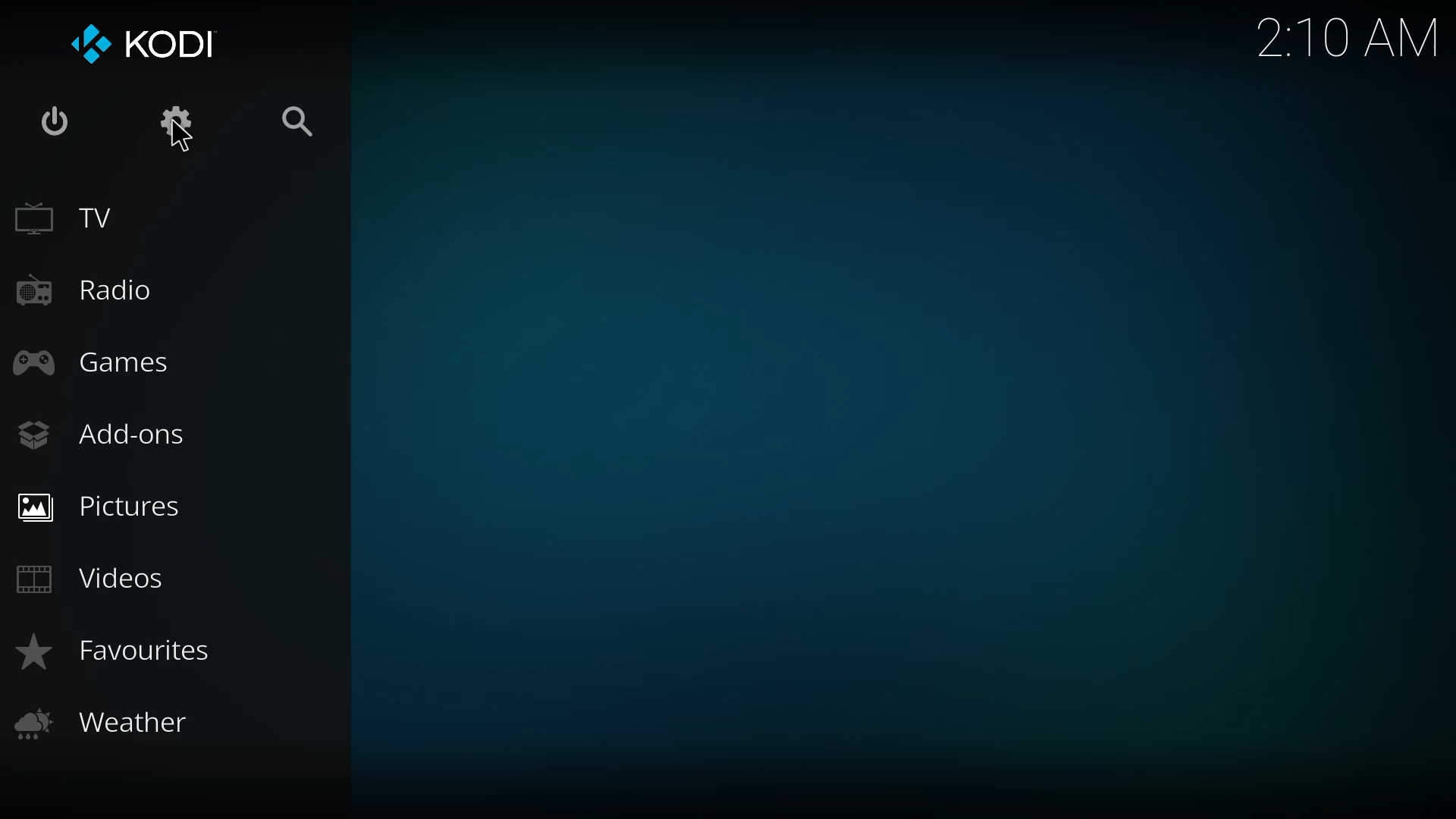  What do you see at coordinates (173, 121) in the screenshot?
I see `settings` at bounding box center [173, 121].